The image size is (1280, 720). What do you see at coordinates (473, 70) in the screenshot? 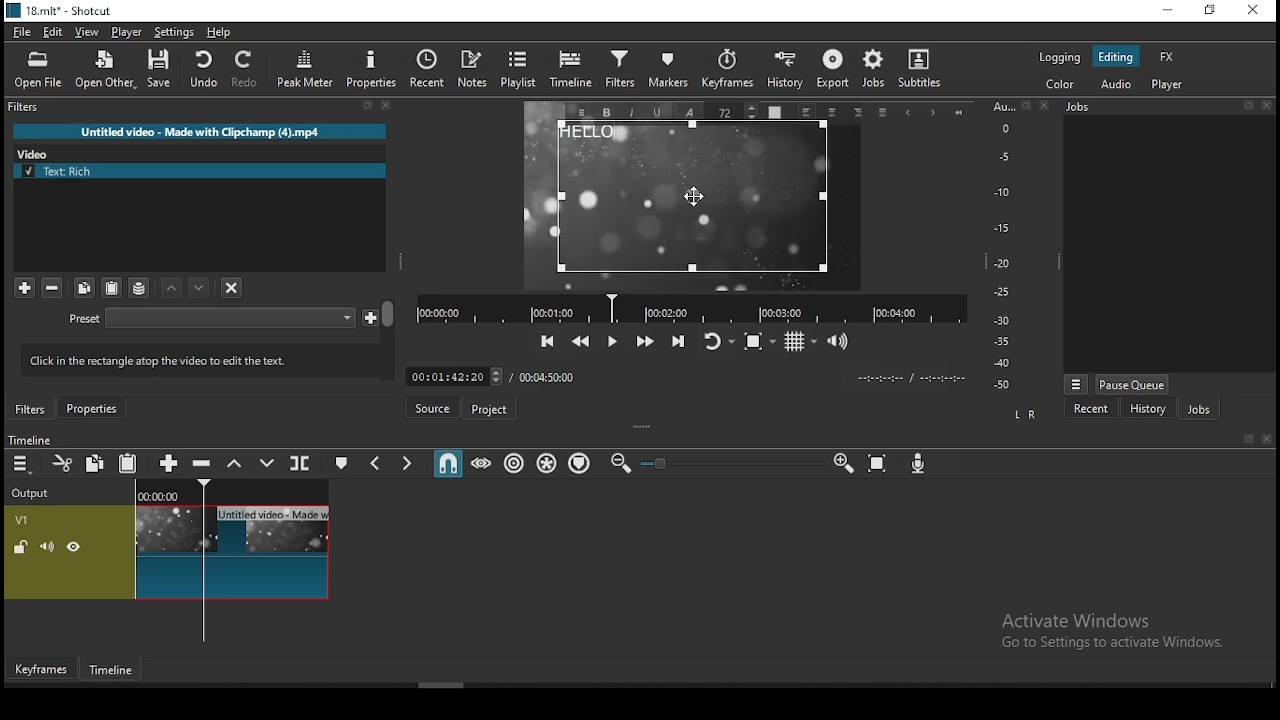
I see `notes` at bounding box center [473, 70].